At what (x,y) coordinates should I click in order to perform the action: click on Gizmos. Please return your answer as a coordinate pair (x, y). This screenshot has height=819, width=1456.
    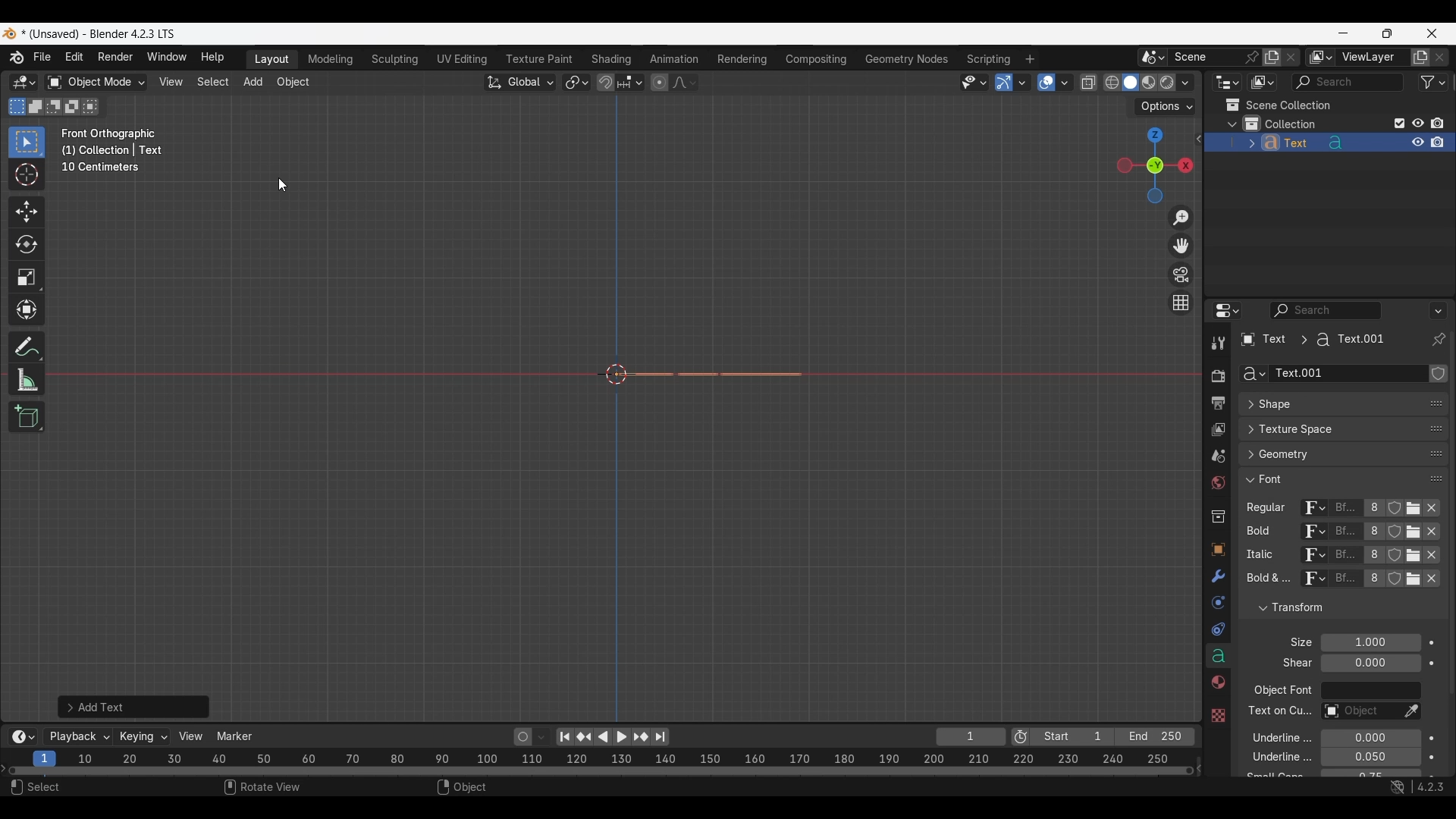
    Looking at the image, I should click on (1022, 82).